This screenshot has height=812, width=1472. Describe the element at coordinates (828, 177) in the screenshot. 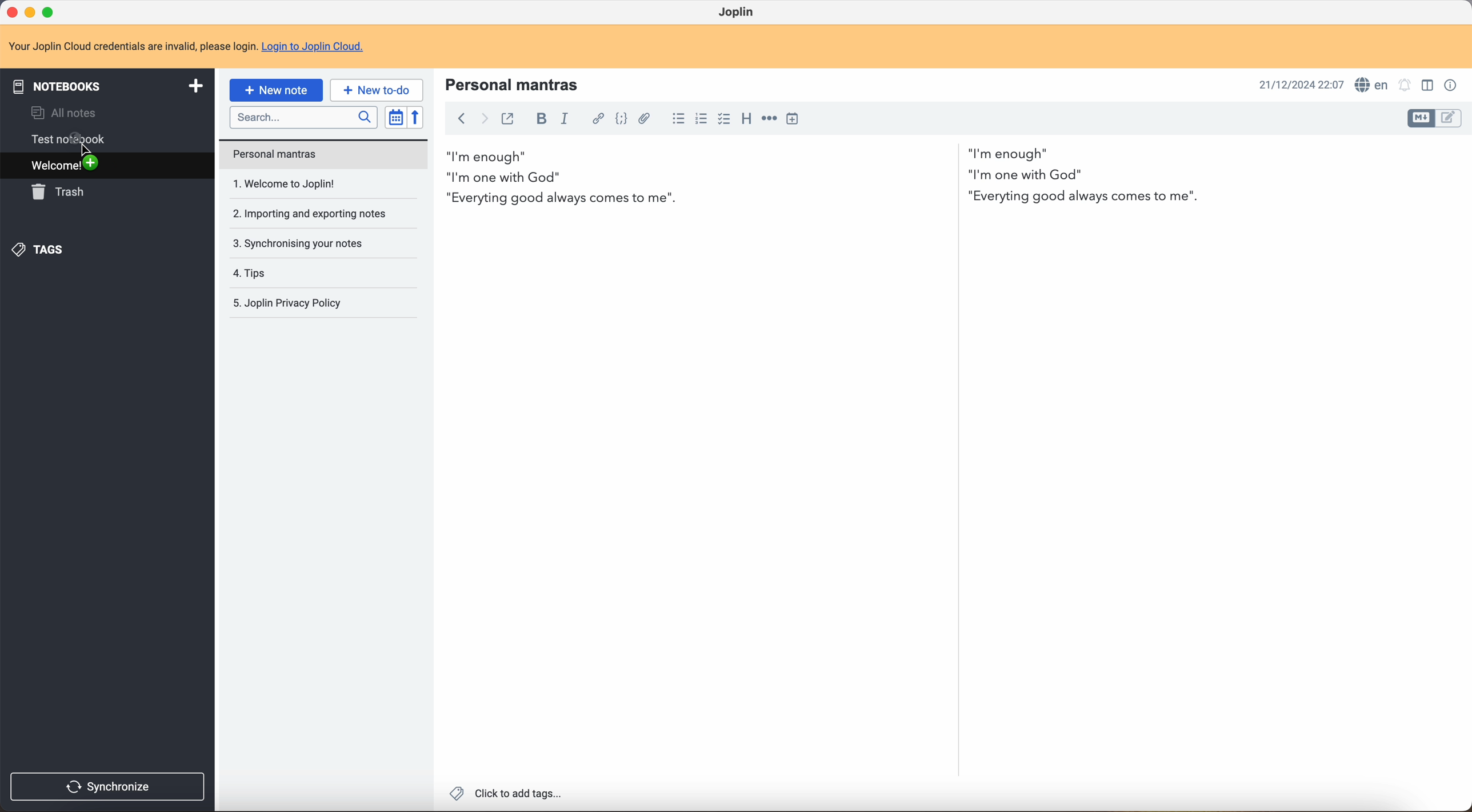

I see `body text` at that location.